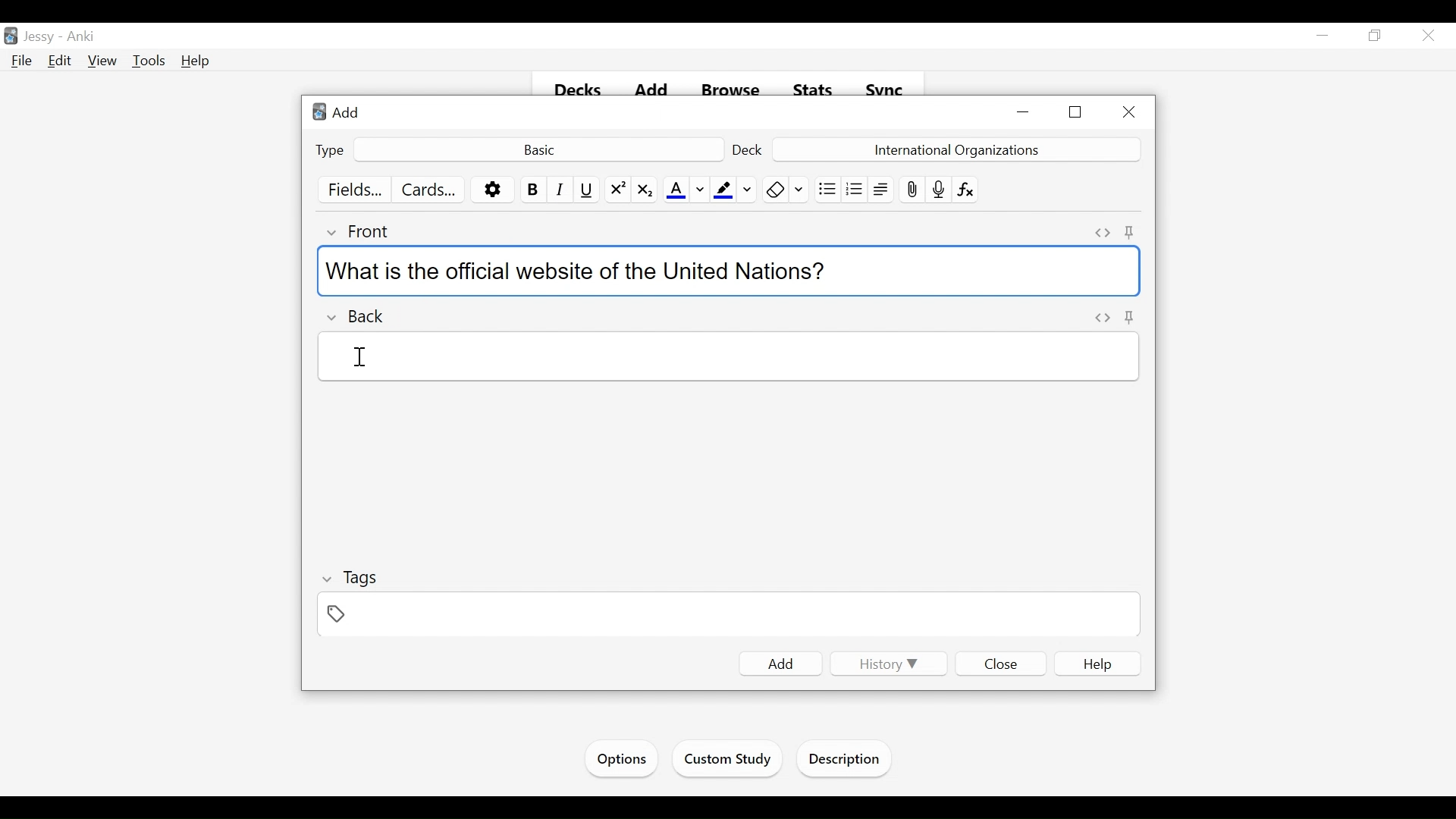 The image size is (1456, 819). Describe the element at coordinates (724, 86) in the screenshot. I see `Browse` at that location.